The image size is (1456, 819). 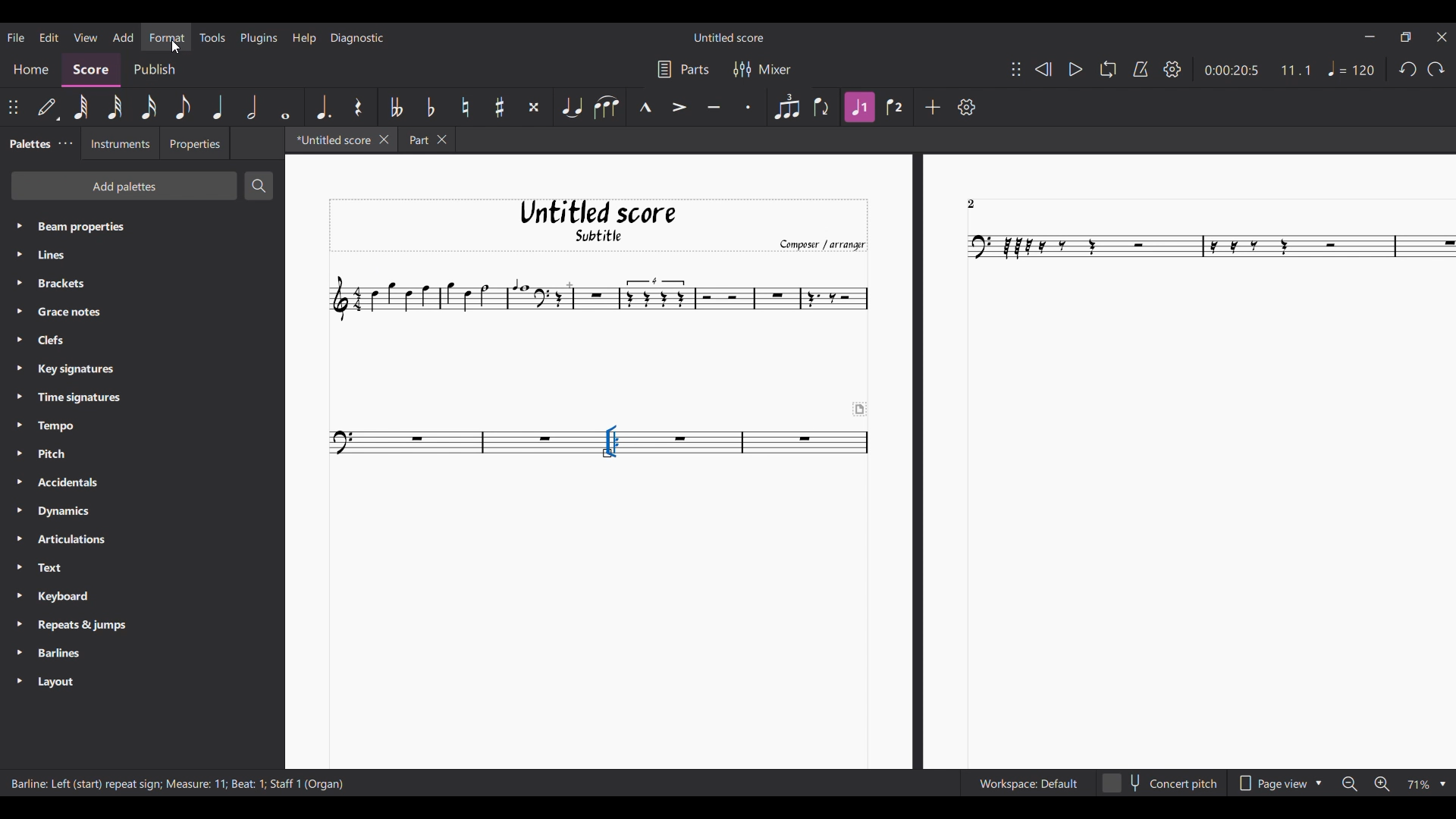 What do you see at coordinates (359, 108) in the screenshot?
I see `Rest` at bounding box center [359, 108].